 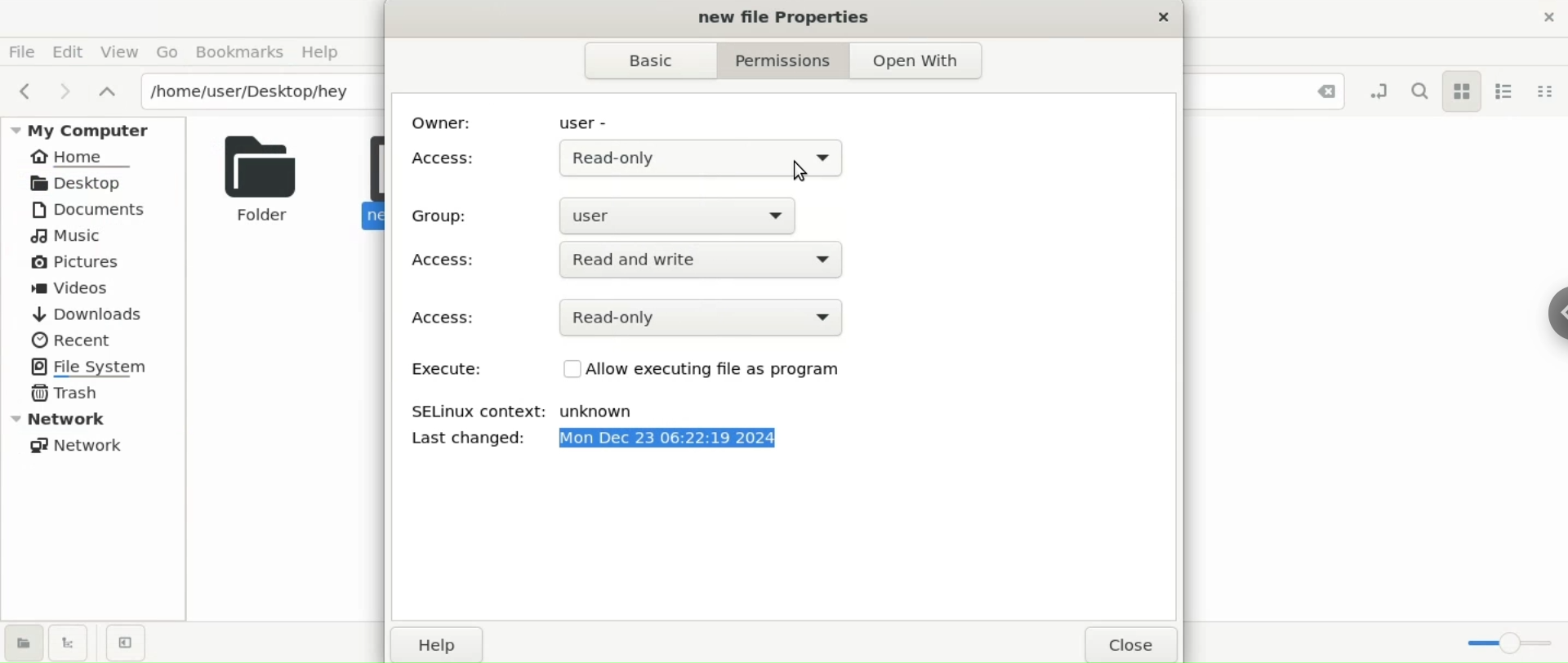 I want to click on Permissions, so click(x=775, y=60).